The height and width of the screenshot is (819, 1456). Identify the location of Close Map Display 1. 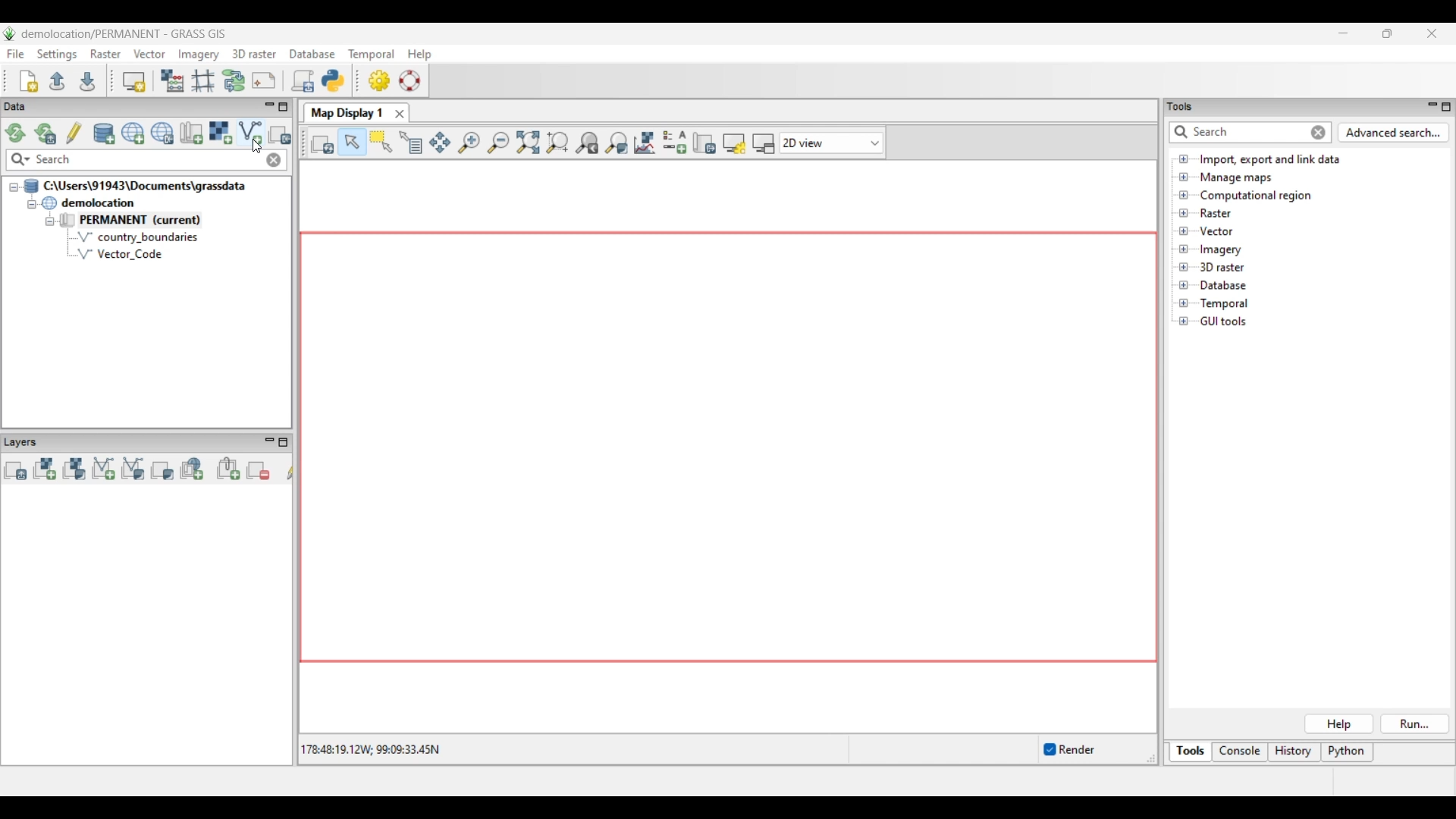
(399, 114).